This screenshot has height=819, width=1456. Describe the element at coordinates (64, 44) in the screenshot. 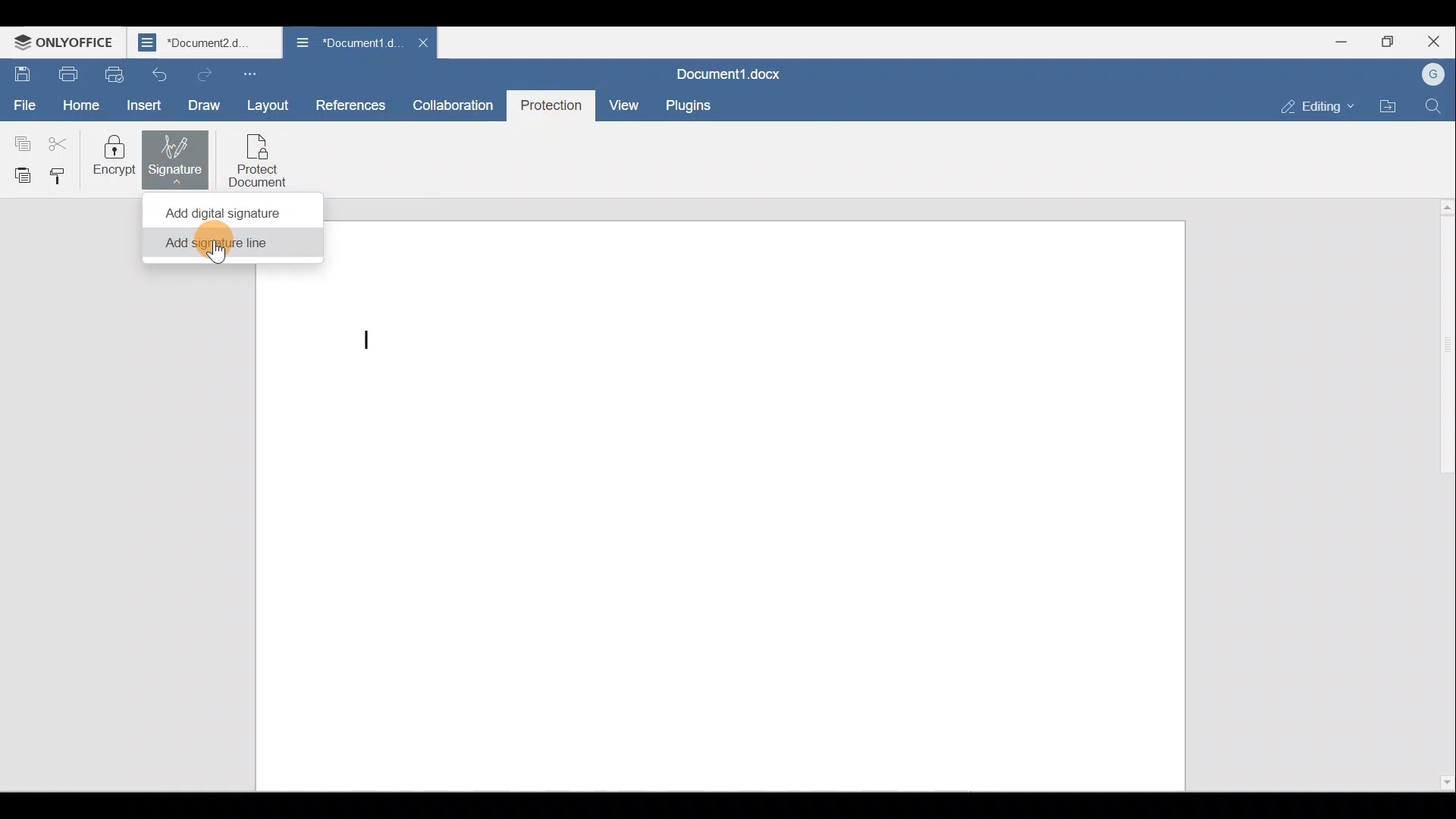

I see `ONLYOFFICE` at that location.